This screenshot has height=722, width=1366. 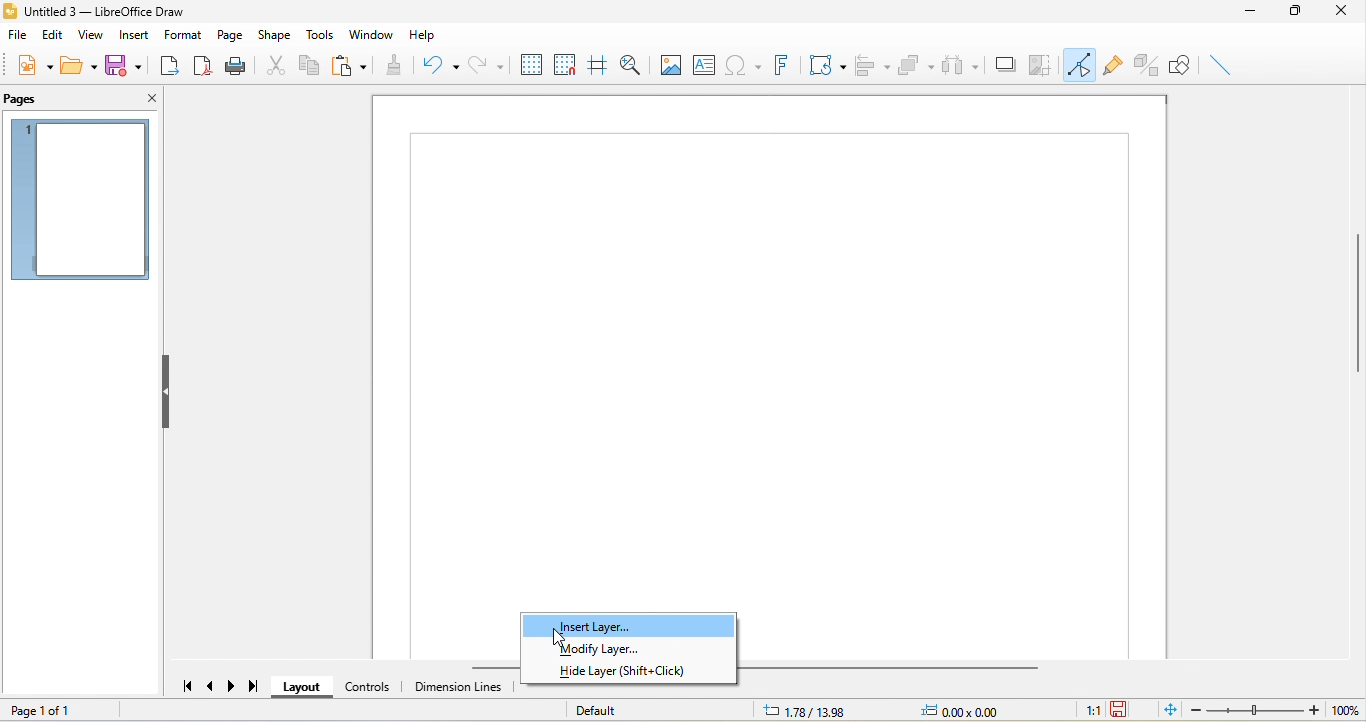 I want to click on horizontal scroll bar, so click(x=903, y=669).